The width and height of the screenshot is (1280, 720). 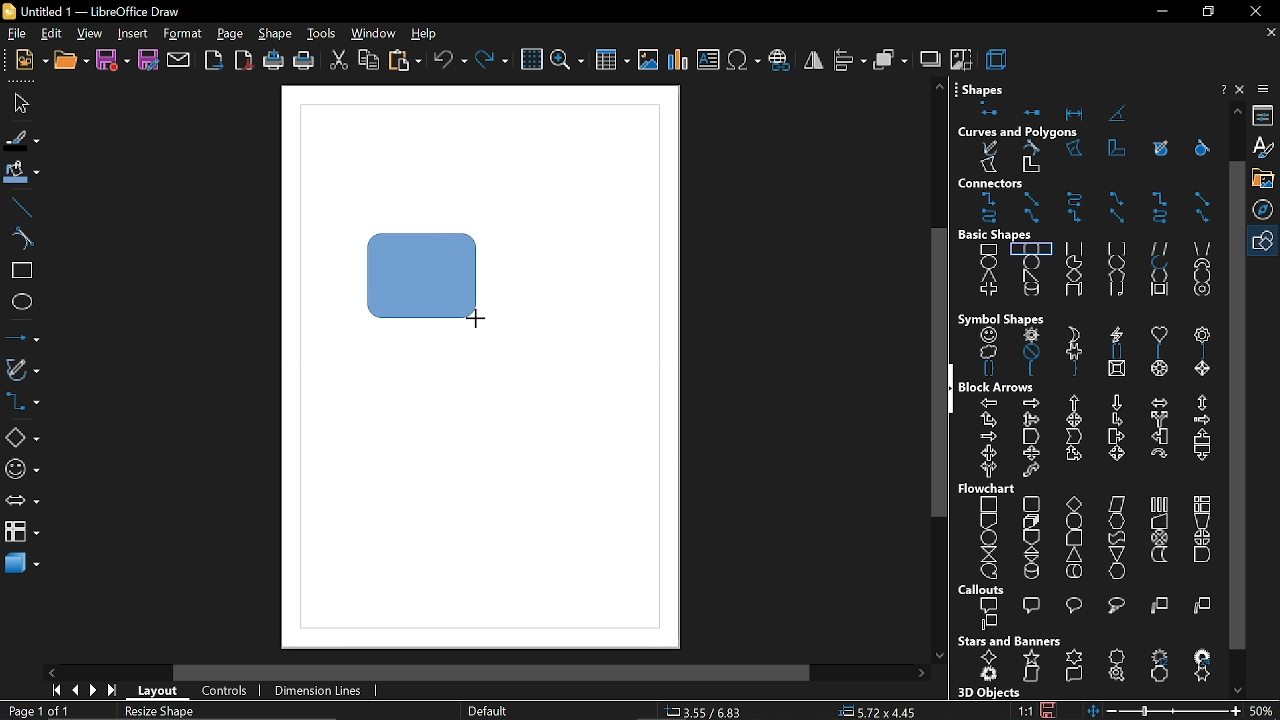 I want to click on save, so click(x=1048, y=708).